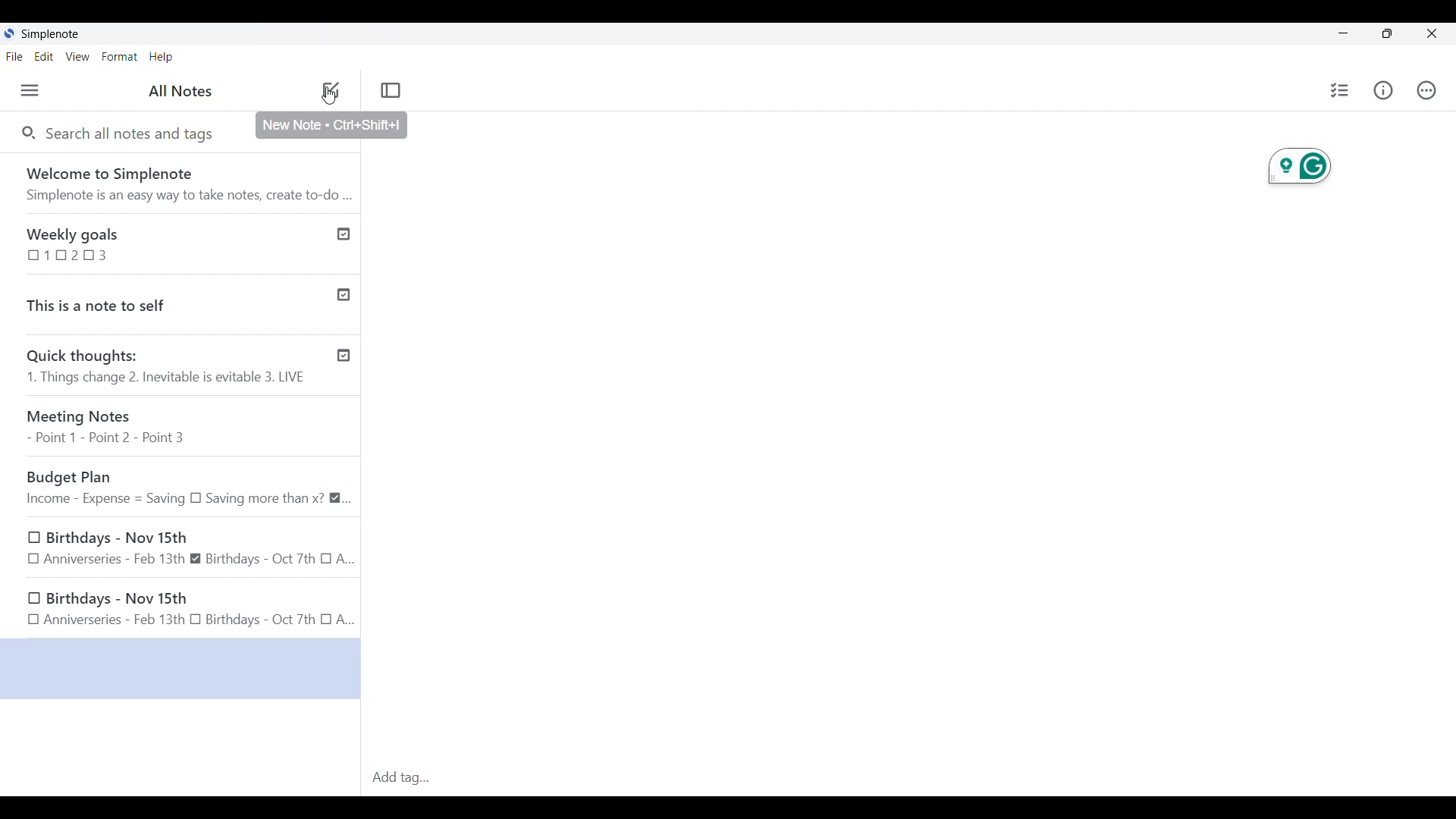  What do you see at coordinates (179, 669) in the screenshot?
I see `selected space for a new note ` at bounding box center [179, 669].